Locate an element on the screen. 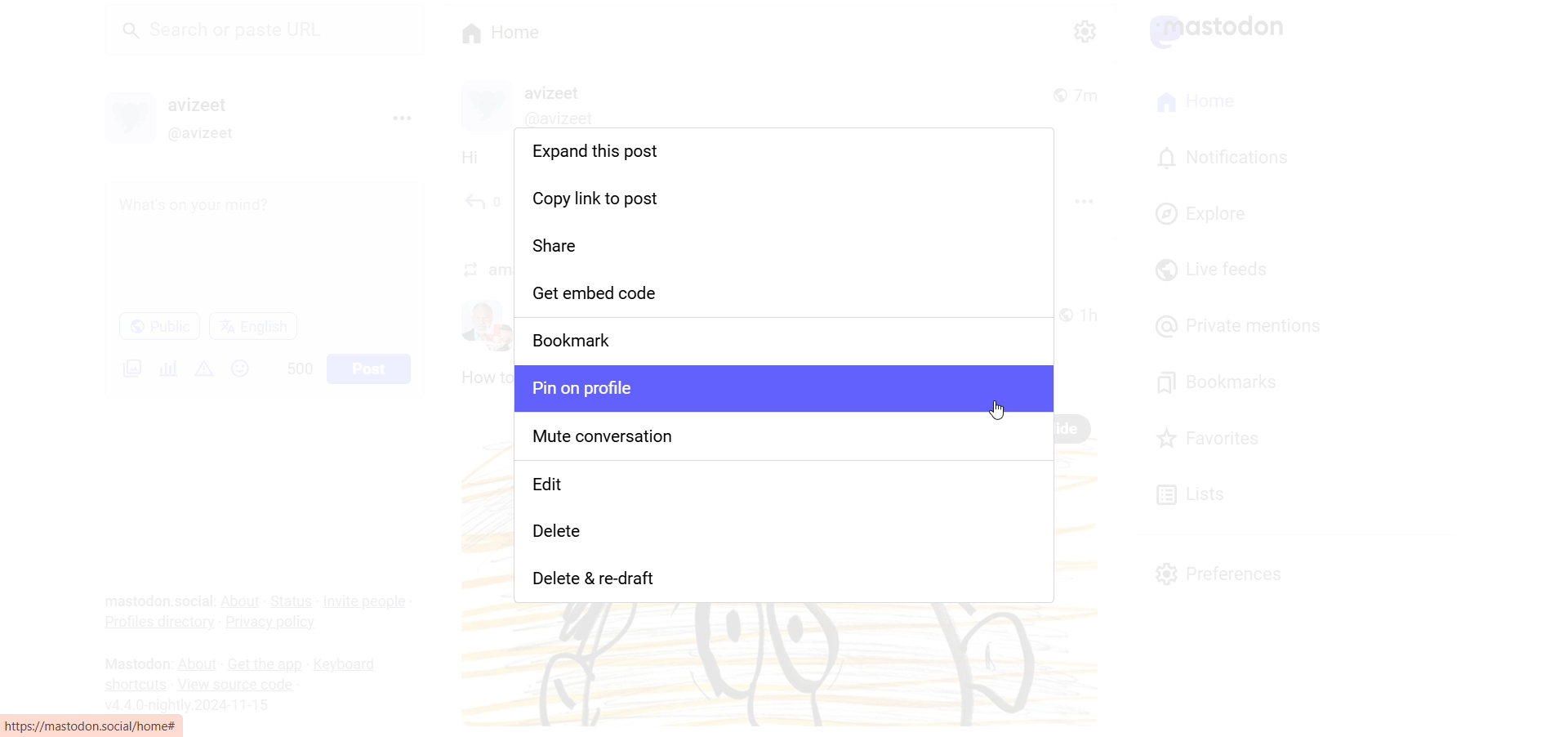 Image resolution: width=1568 pixels, height=737 pixels. Shortcuts is located at coordinates (135, 683).